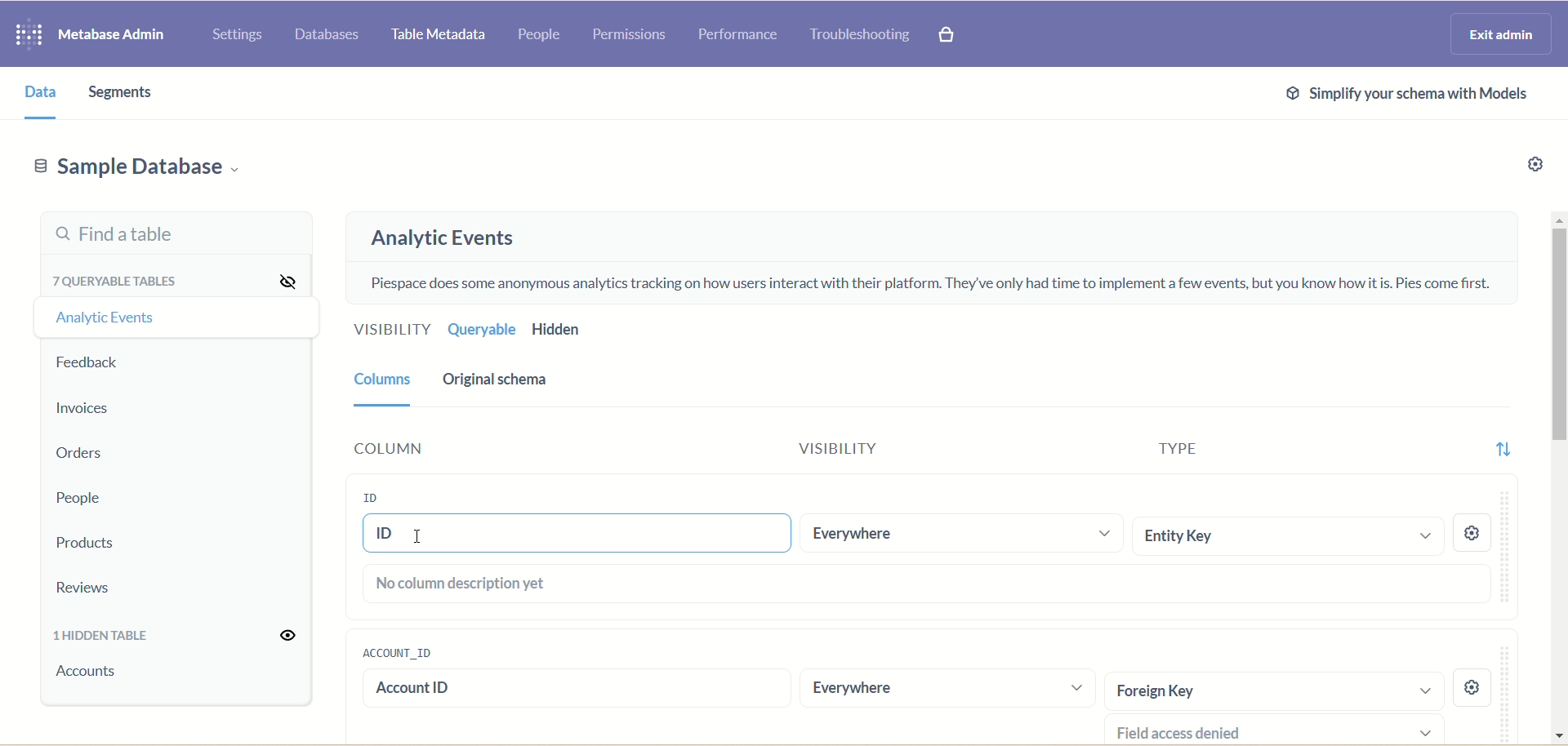 The height and width of the screenshot is (746, 1568). What do you see at coordinates (385, 387) in the screenshot?
I see `Columns` at bounding box center [385, 387].